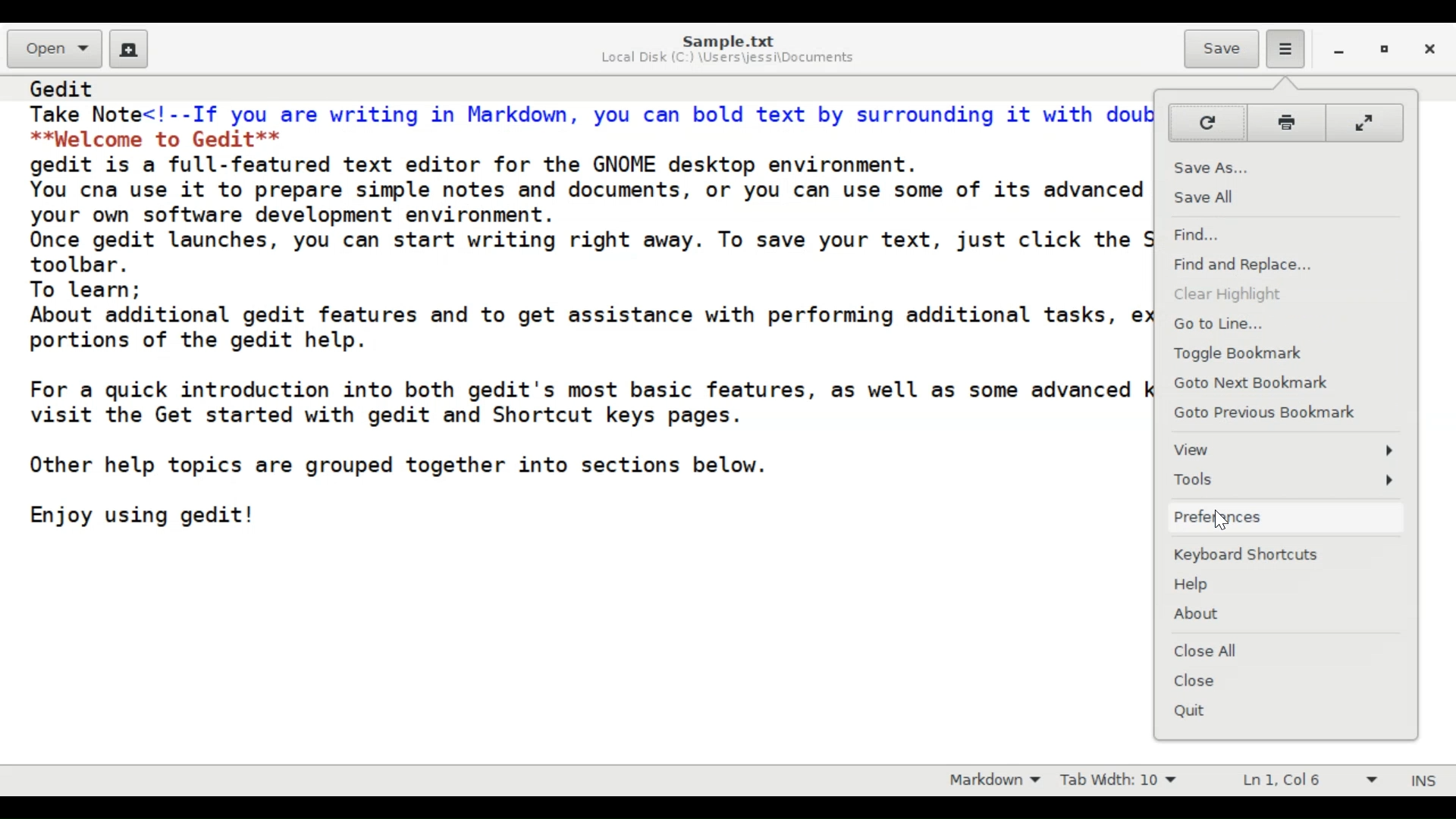 This screenshot has width=1456, height=819. What do you see at coordinates (1287, 646) in the screenshot?
I see `Close All` at bounding box center [1287, 646].